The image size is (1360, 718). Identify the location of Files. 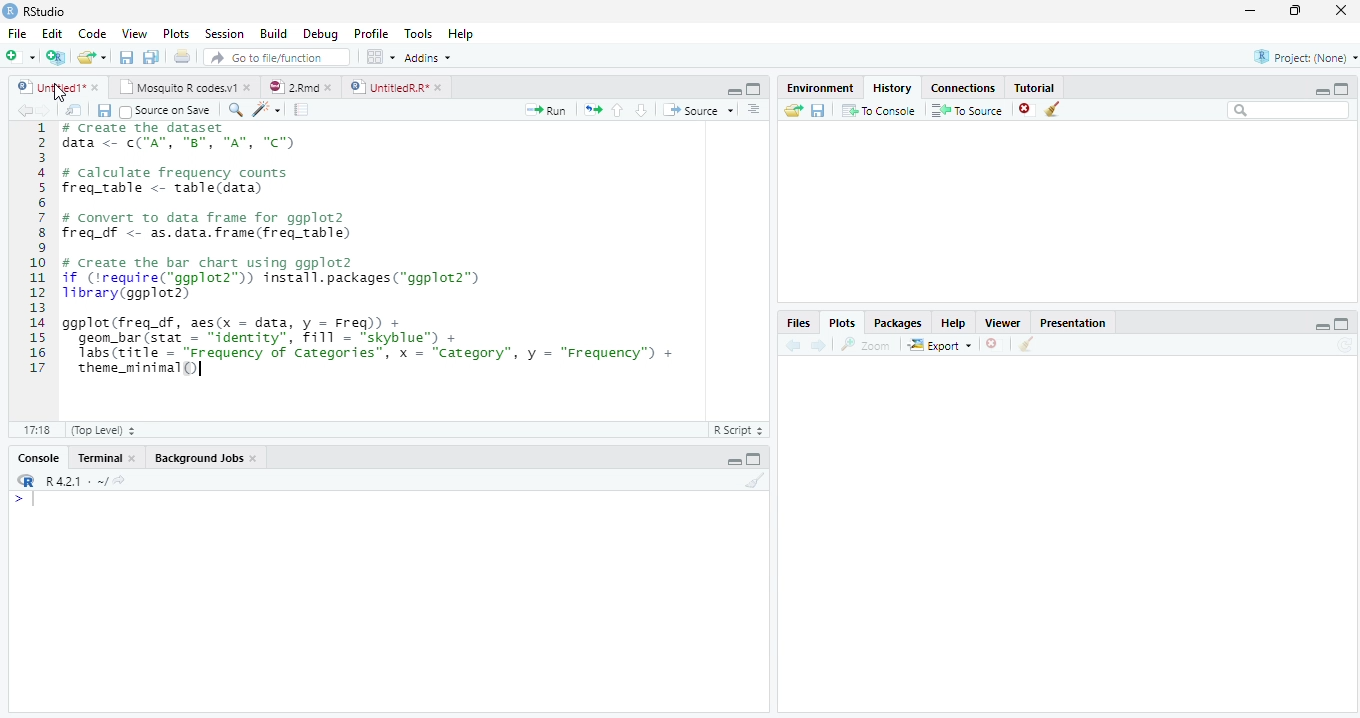
(801, 323).